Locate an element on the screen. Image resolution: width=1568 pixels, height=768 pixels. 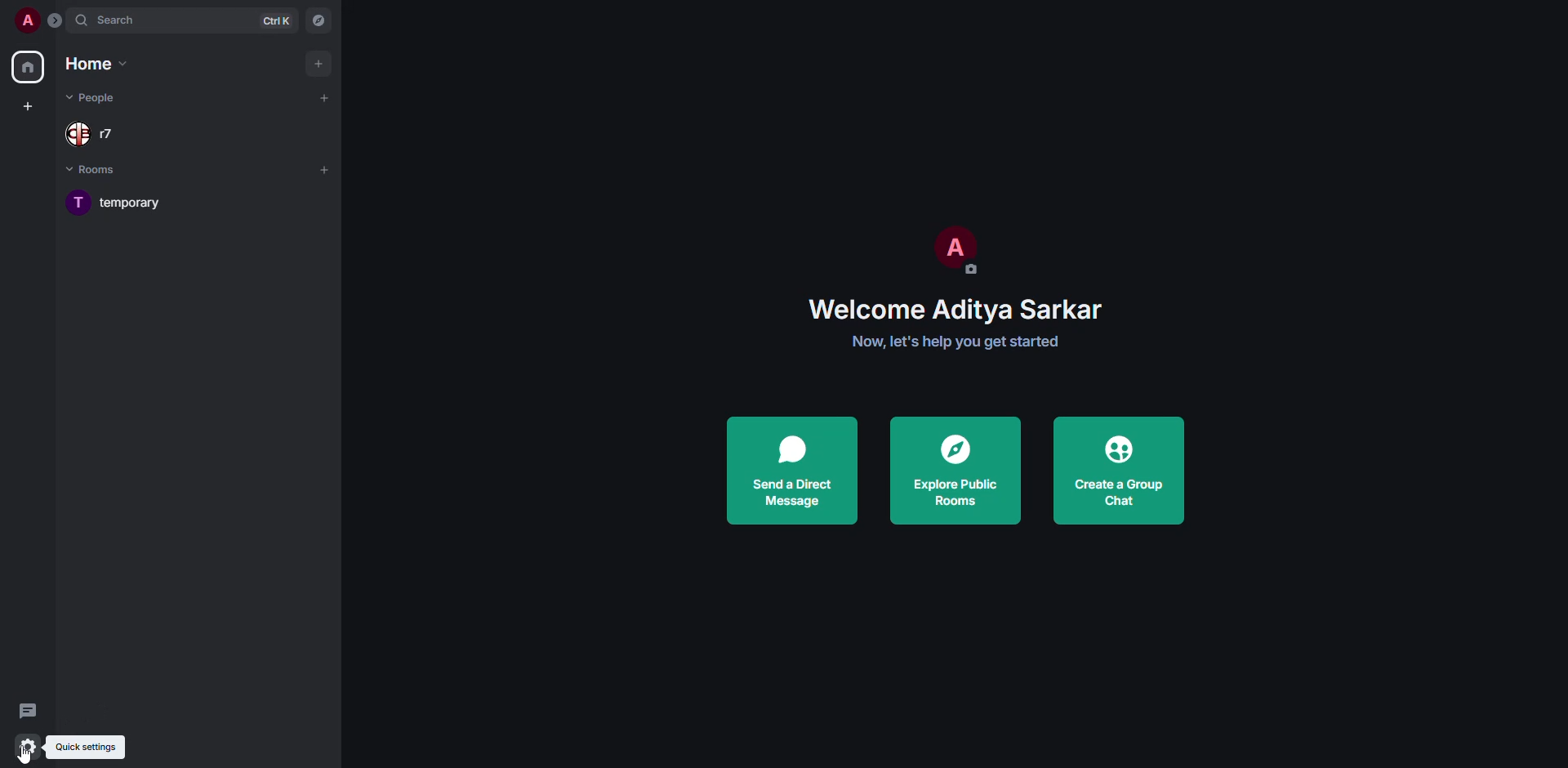
room is located at coordinates (138, 203).